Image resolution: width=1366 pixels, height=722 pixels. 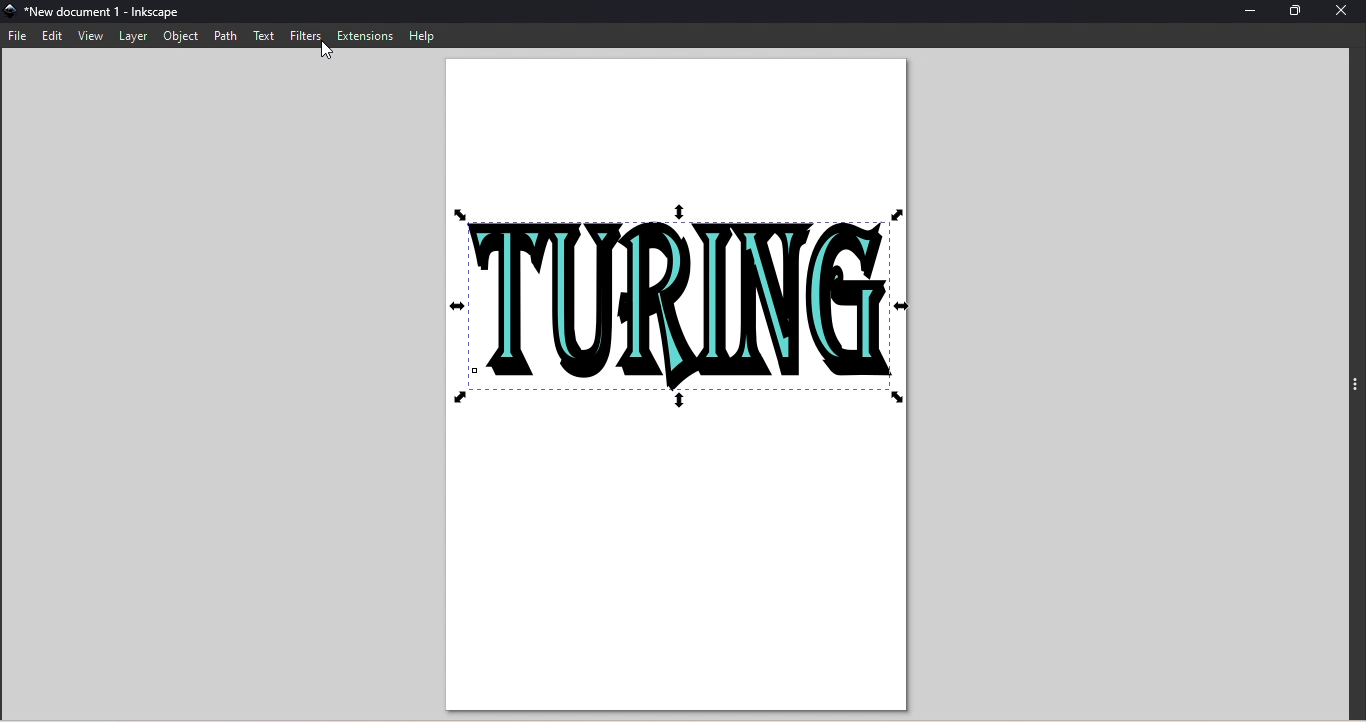 What do you see at coordinates (92, 37) in the screenshot?
I see `View` at bounding box center [92, 37].